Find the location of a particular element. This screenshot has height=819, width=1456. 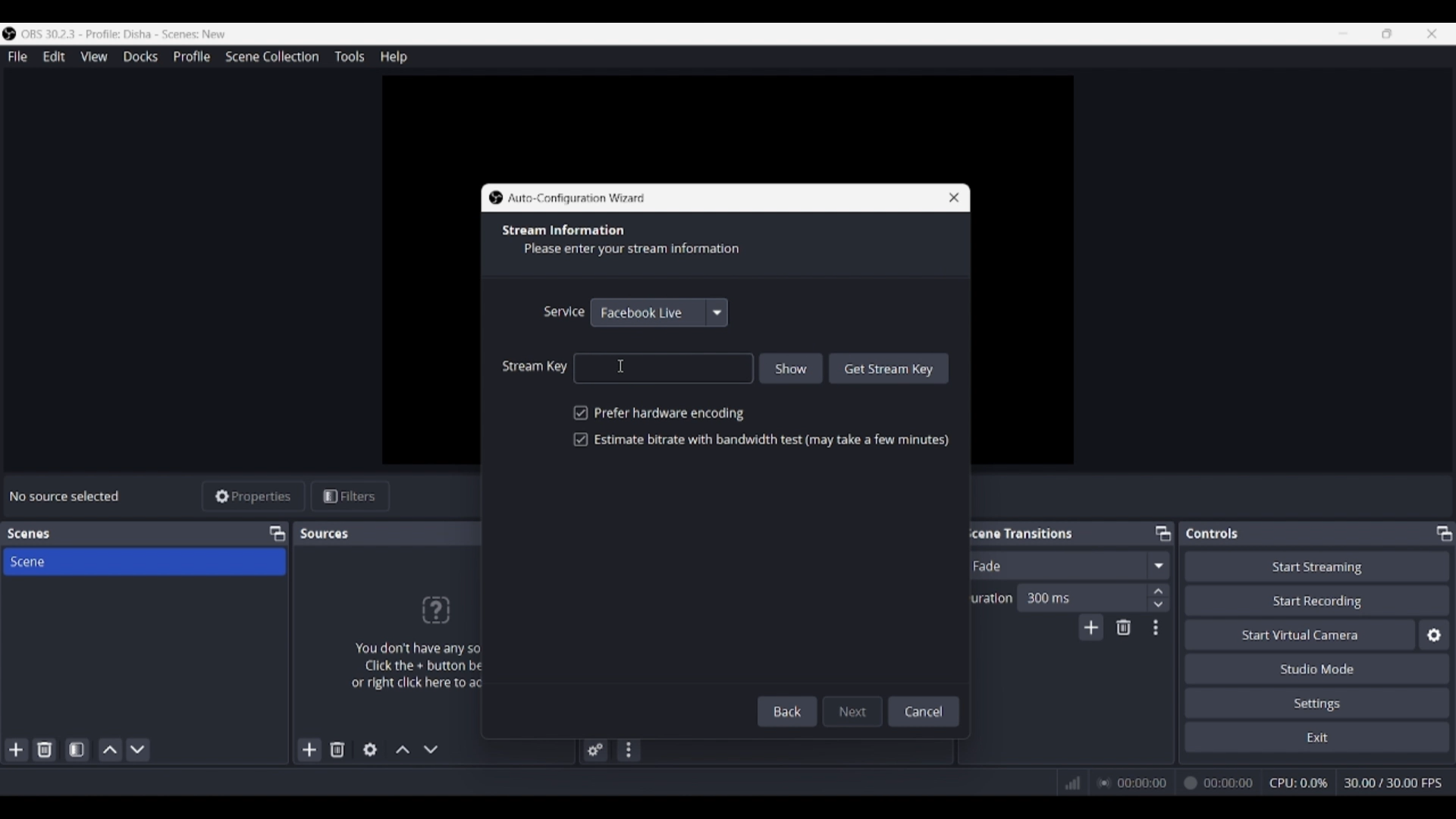

Open scene filters is located at coordinates (77, 749).